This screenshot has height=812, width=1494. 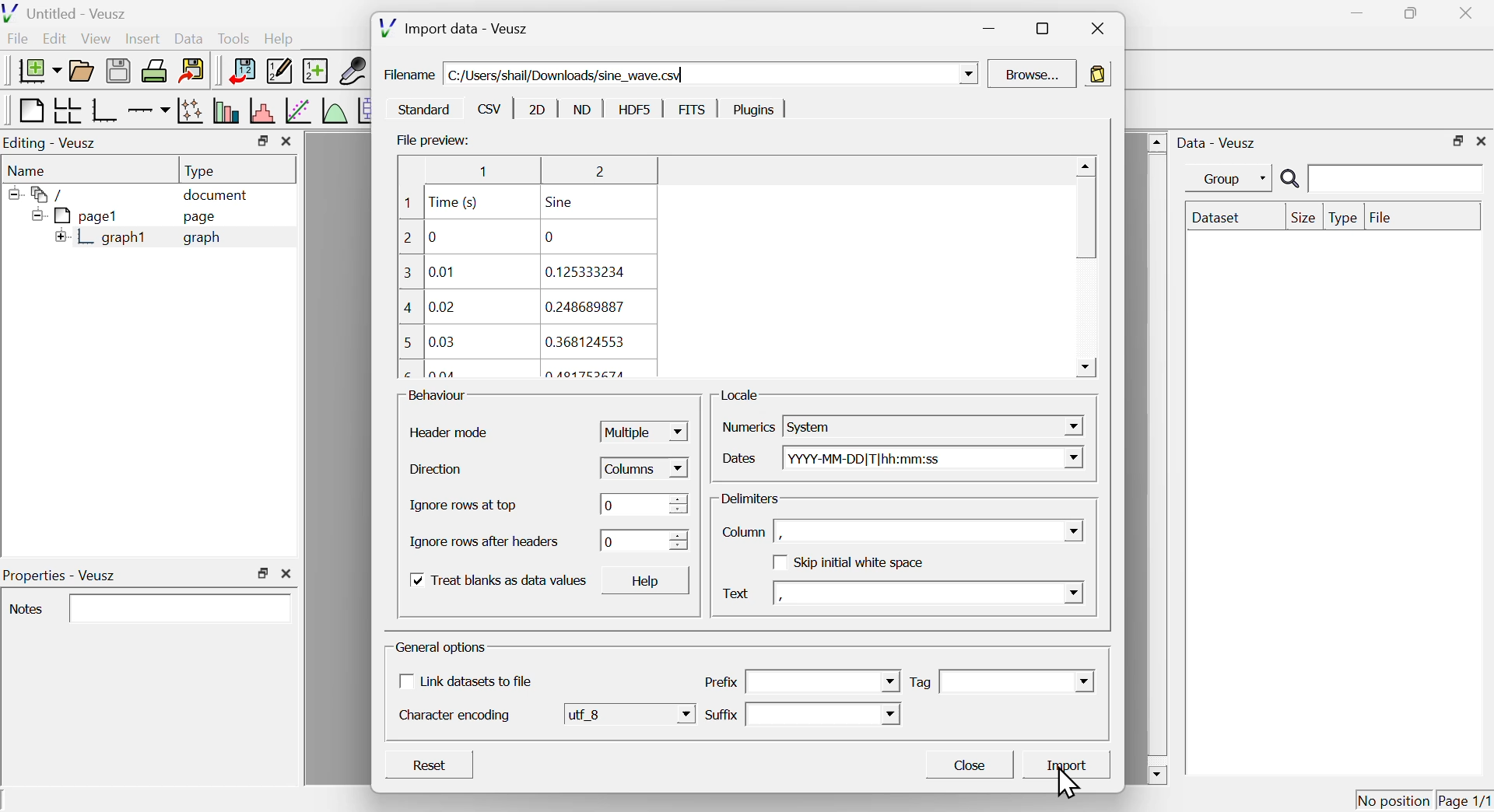 What do you see at coordinates (77, 215) in the screenshot?
I see `page1` at bounding box center [77, 215].